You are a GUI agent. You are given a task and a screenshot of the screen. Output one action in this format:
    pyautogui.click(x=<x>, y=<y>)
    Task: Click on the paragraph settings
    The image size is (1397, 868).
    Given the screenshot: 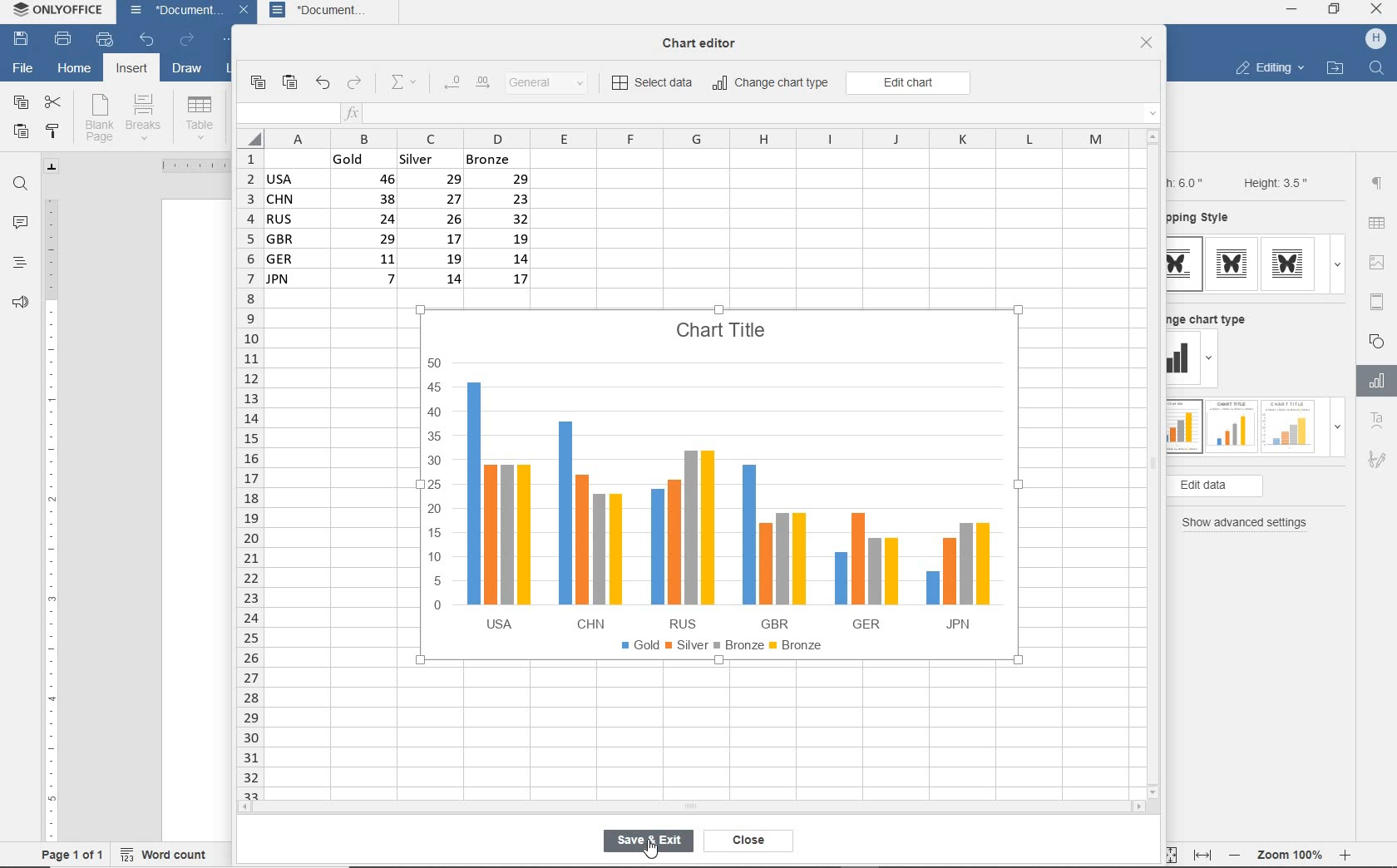 What is the action you would take?
    pyautogui.click(x=1377, y=183)
    